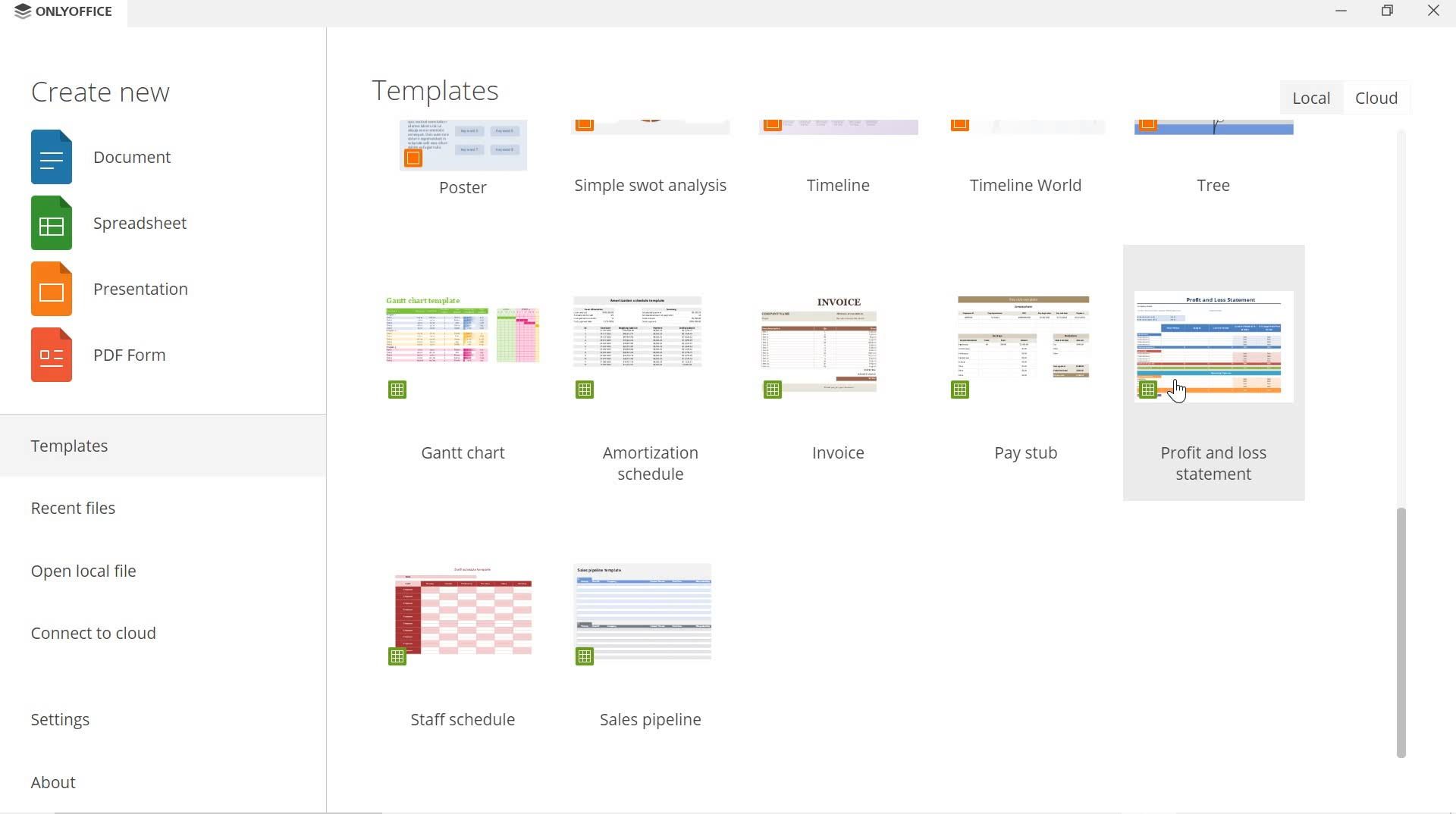 This screenshot has width=1456, height=814. What do you see at coordinates (463, 348) in the screenshot?
I see `Template design` at bounding box center [463, 348].